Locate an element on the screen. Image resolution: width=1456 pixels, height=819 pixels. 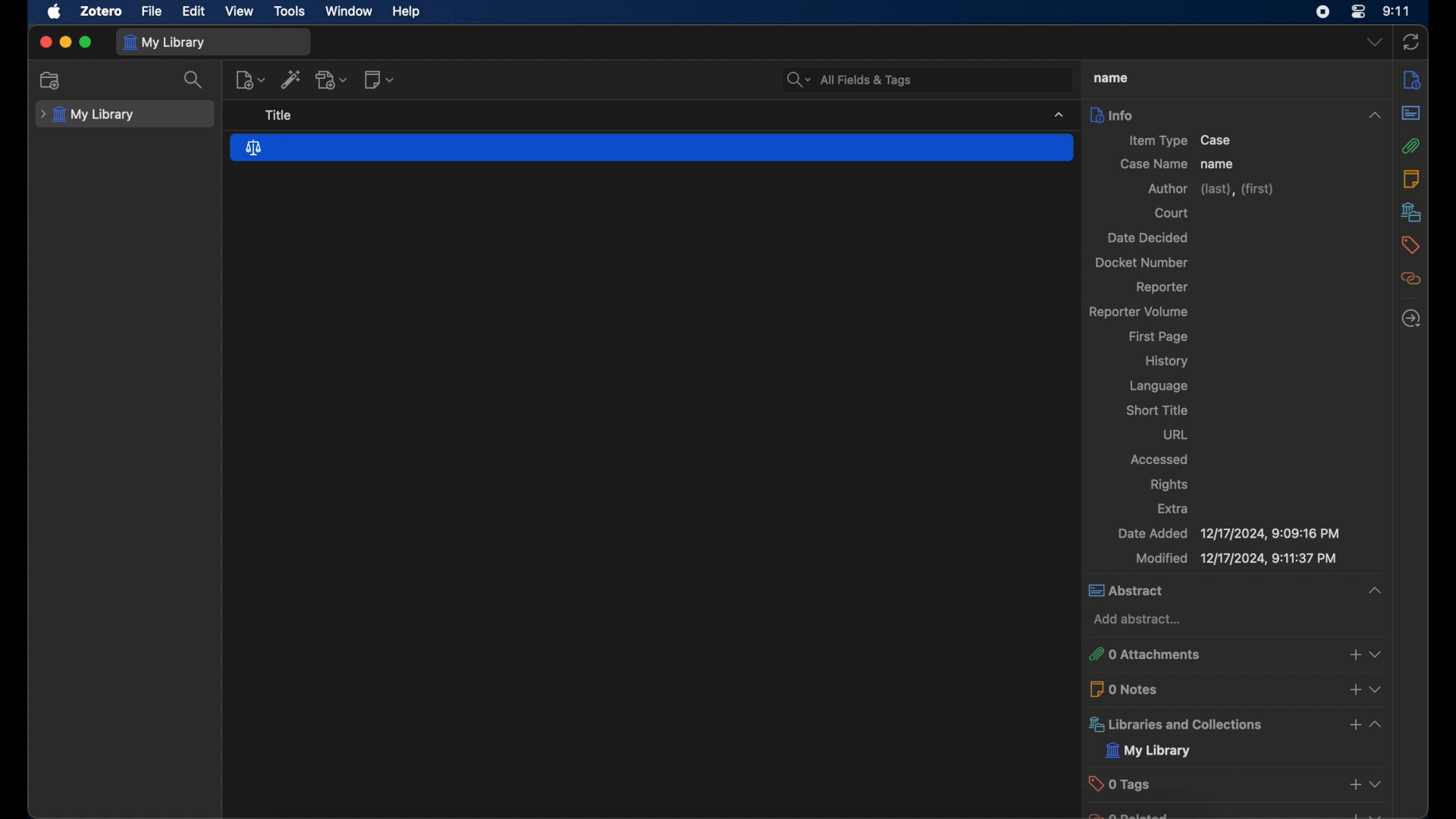
add items by identifier is located at coordinates (291, 79).